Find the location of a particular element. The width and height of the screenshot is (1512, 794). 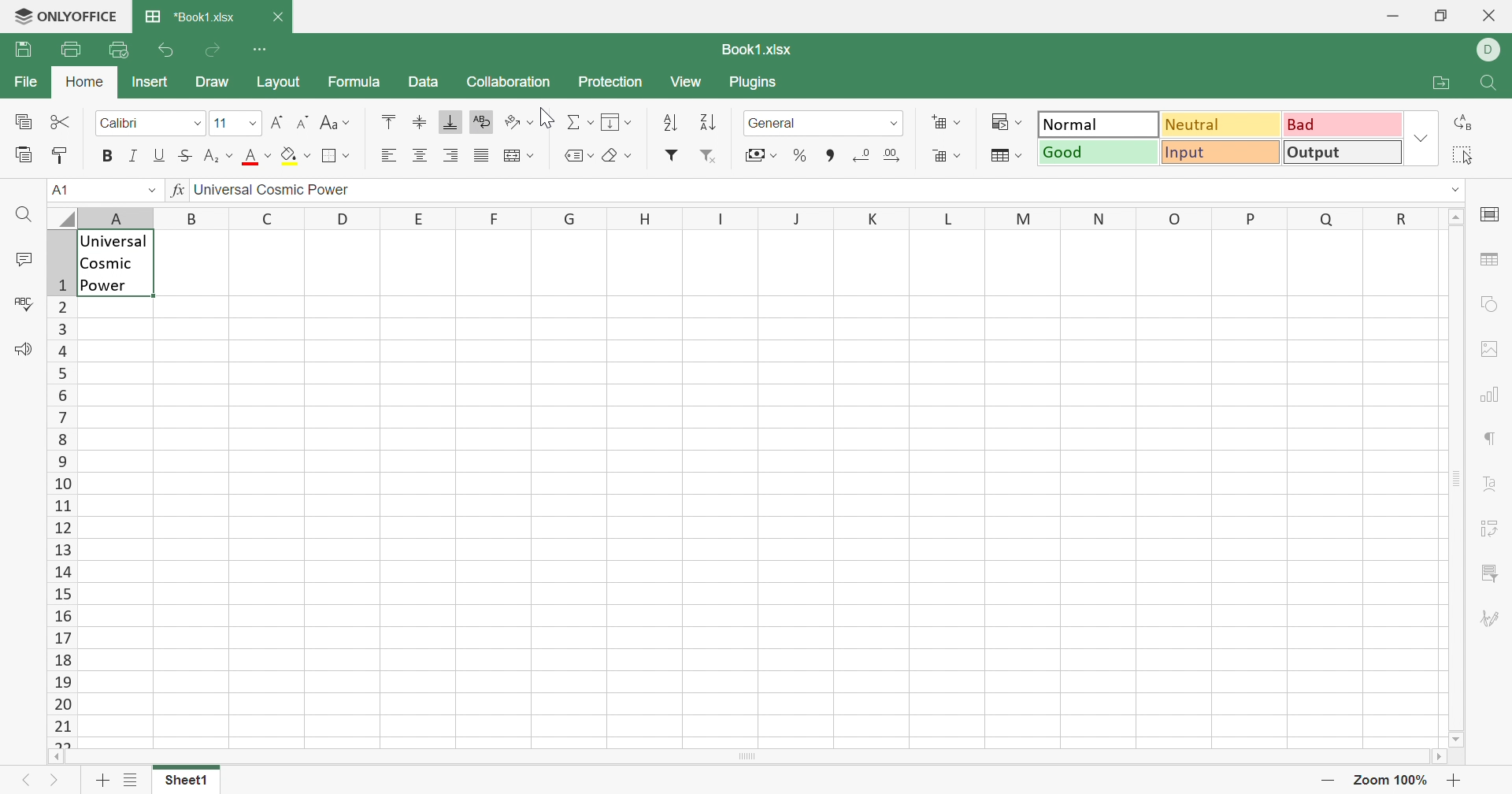

Column Names is located at coordinates (743, 216).